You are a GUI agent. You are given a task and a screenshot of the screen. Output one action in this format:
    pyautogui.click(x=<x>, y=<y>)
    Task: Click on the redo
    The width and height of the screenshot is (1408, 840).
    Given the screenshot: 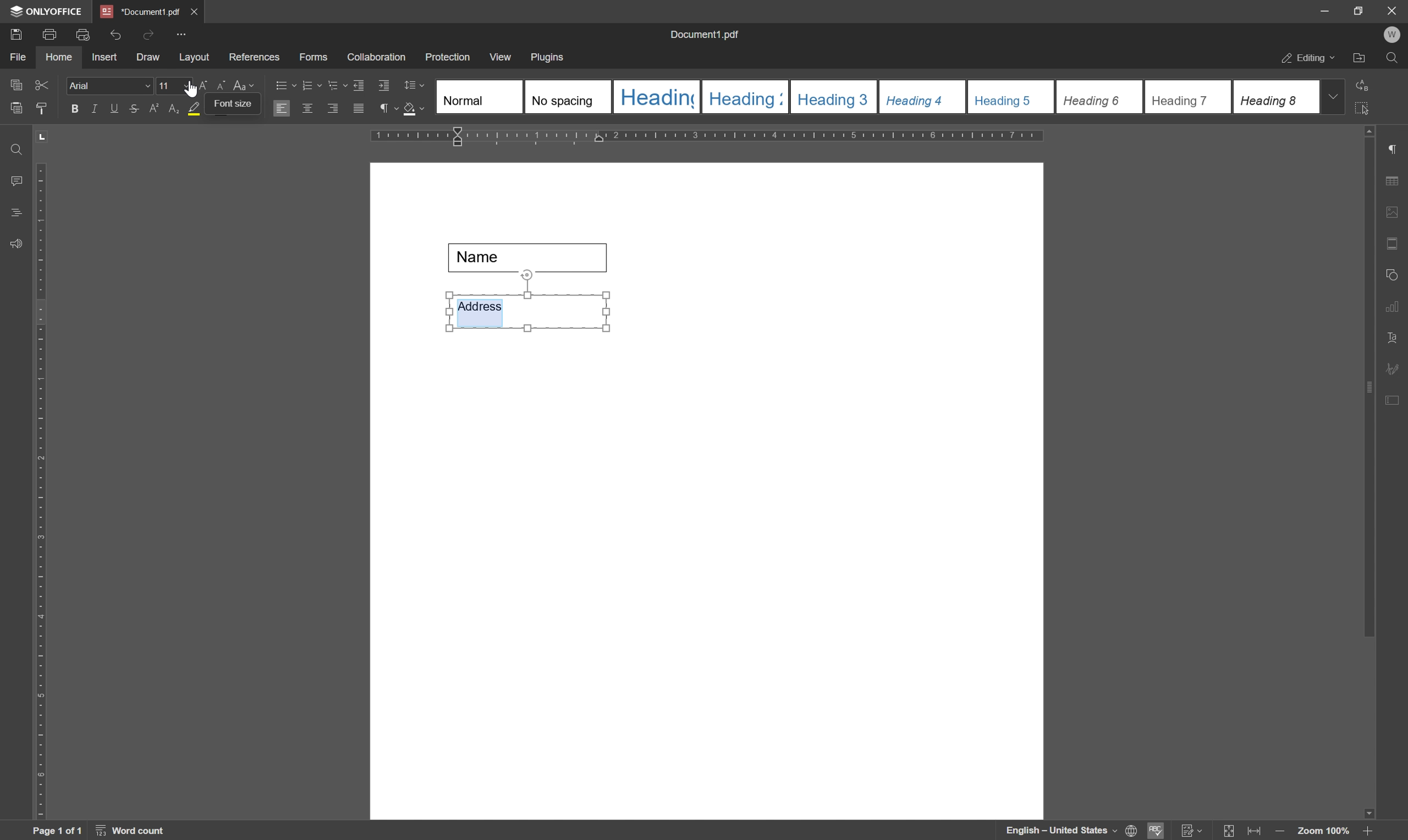 What is the action you would take?
    pyautogui.click(x=148, y=33)
    